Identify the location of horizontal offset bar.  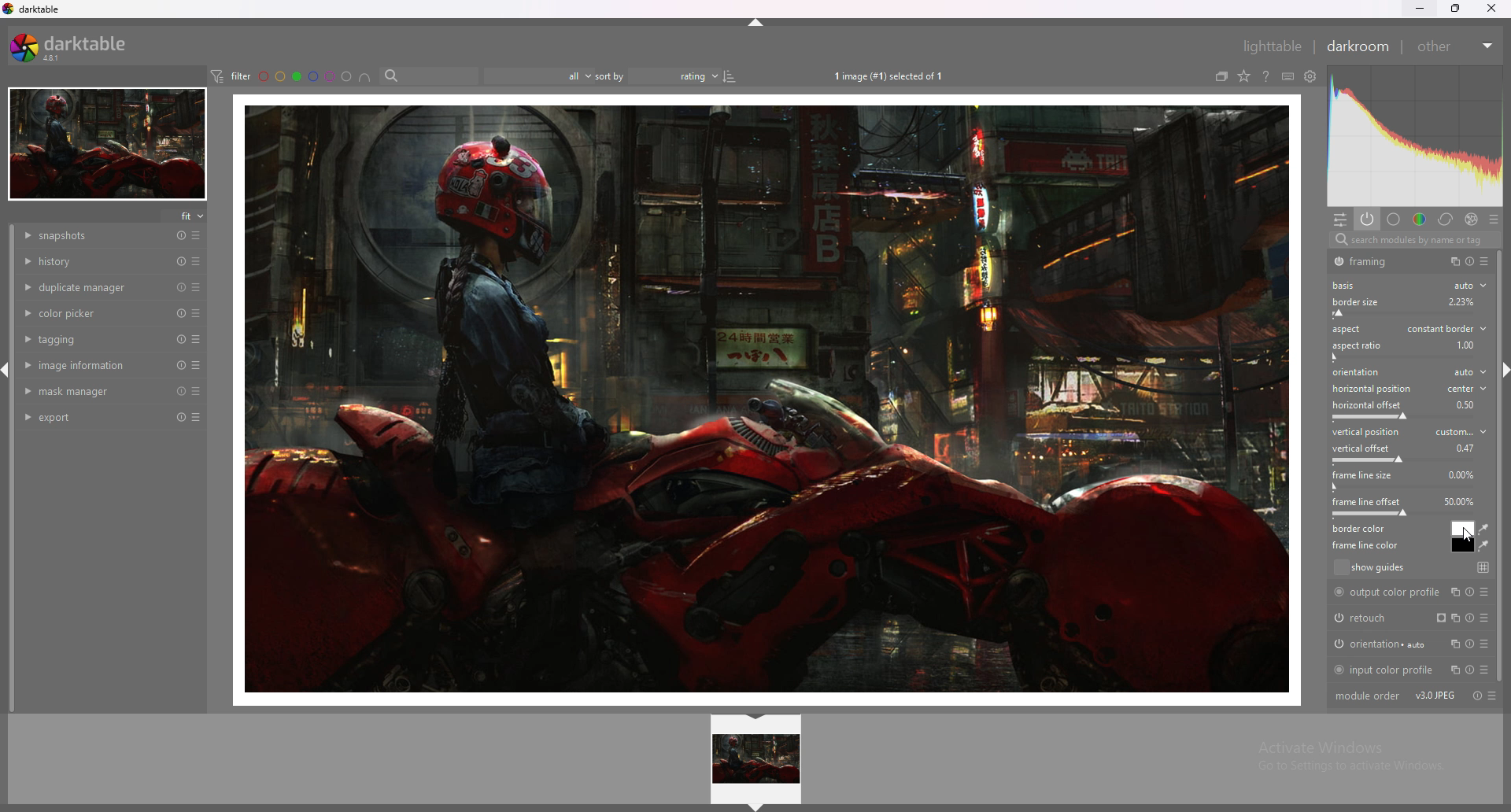
(1403, 415).